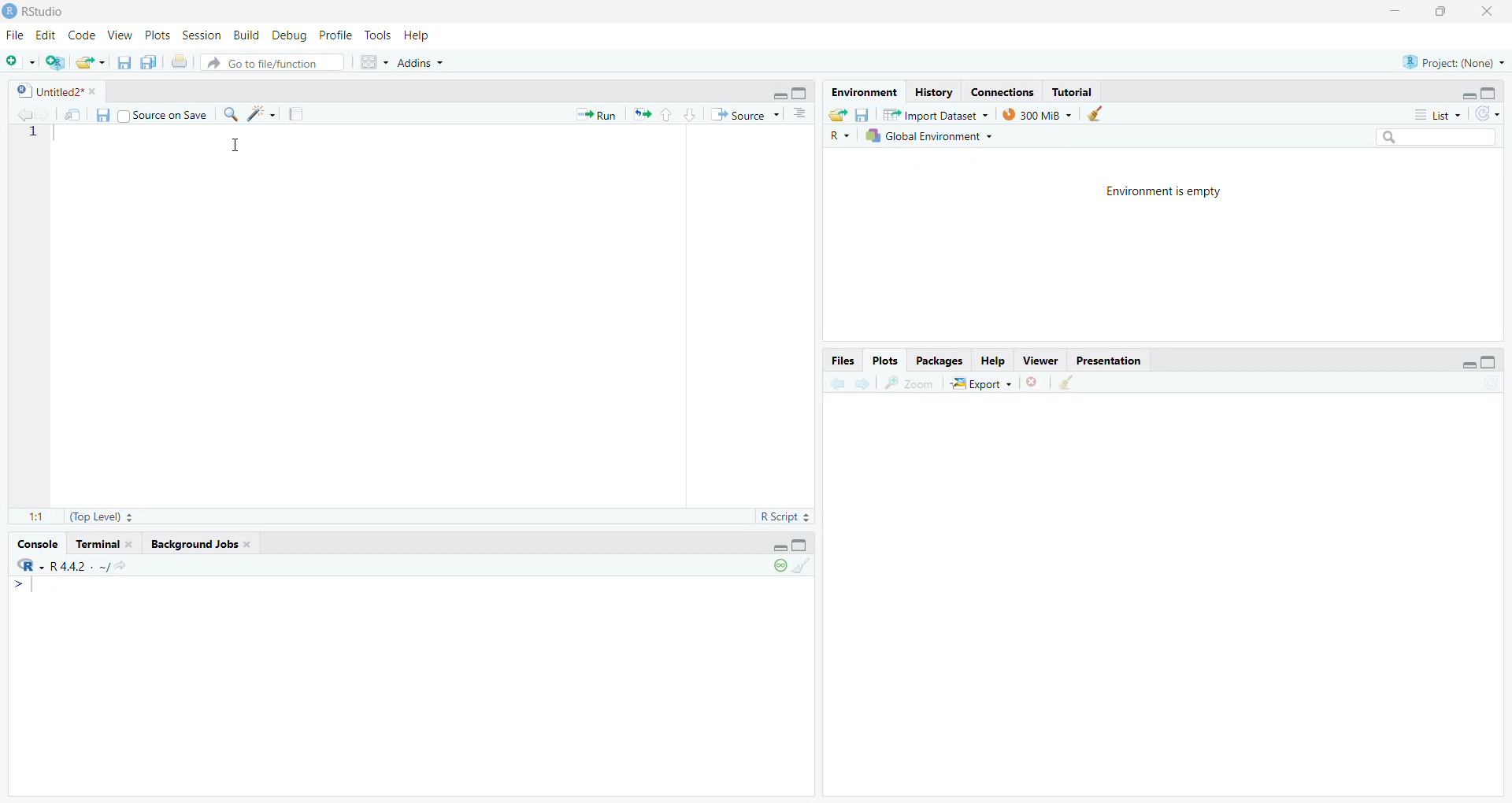  I want to click on clear console, so click(802, 568).